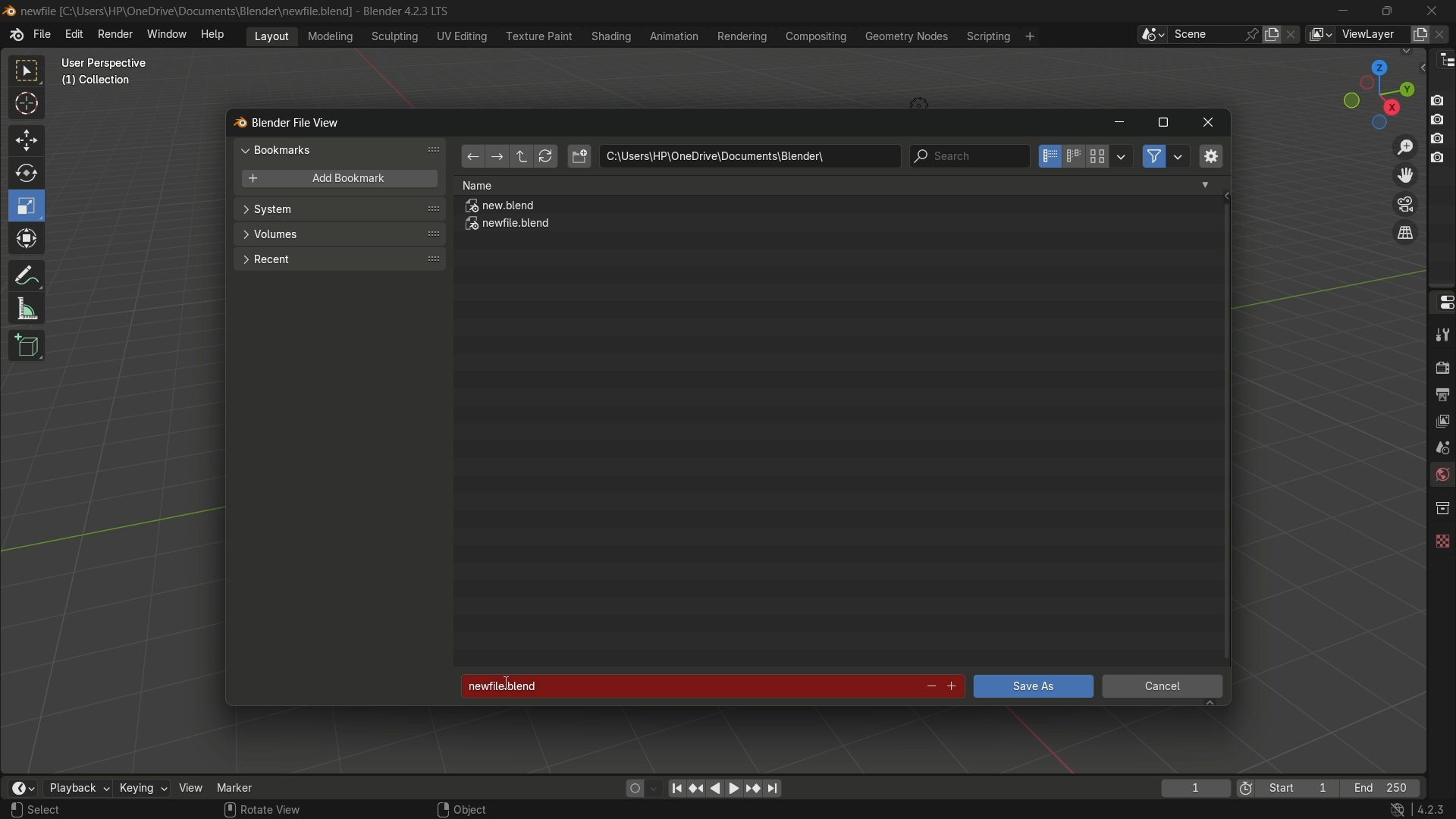  Describe the element at coordinates (168, 36) in the screenshot. I see `window menu` at that location.